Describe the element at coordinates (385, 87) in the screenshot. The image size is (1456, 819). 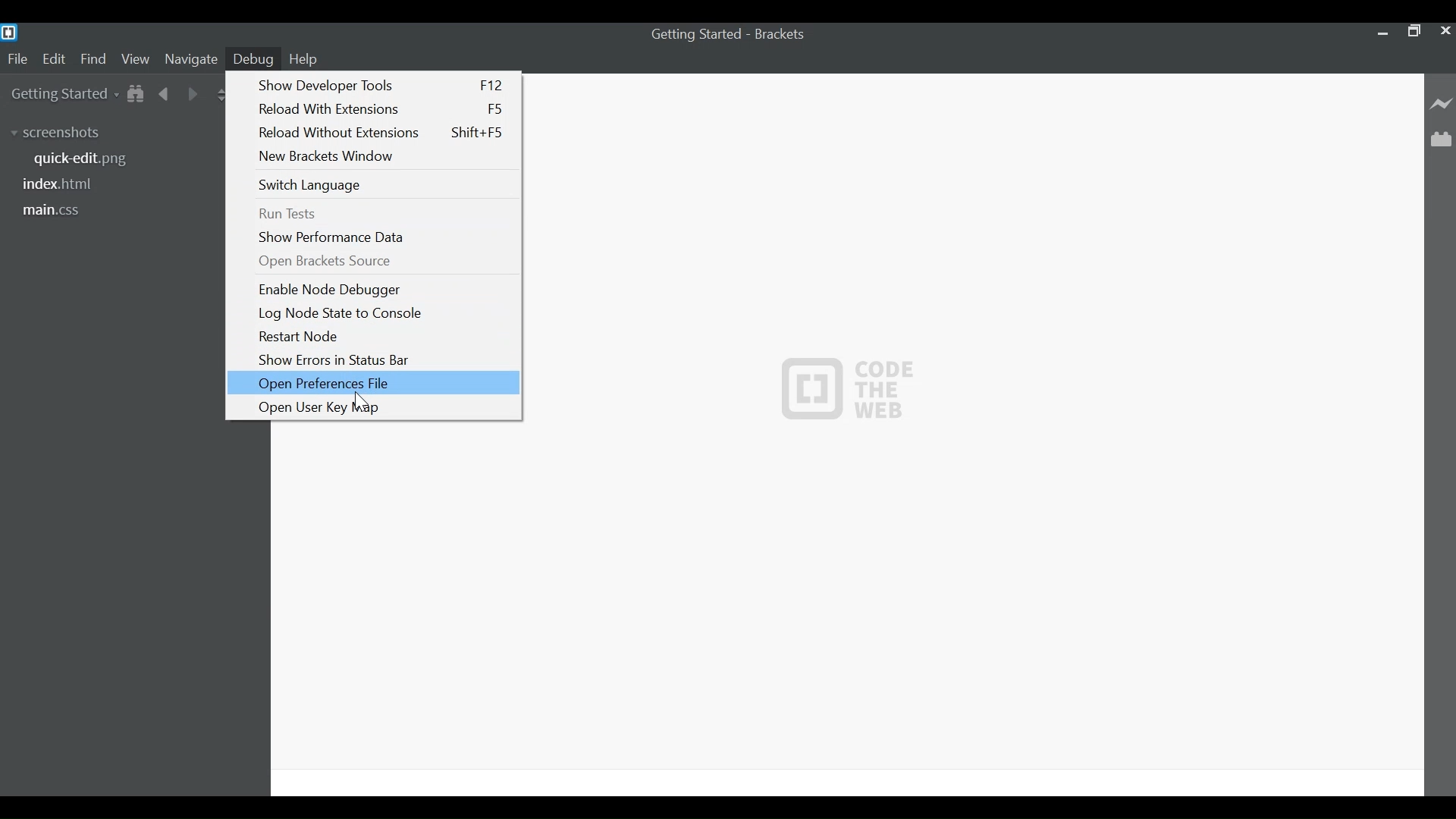
I see `Show Developer Tools` at that location.